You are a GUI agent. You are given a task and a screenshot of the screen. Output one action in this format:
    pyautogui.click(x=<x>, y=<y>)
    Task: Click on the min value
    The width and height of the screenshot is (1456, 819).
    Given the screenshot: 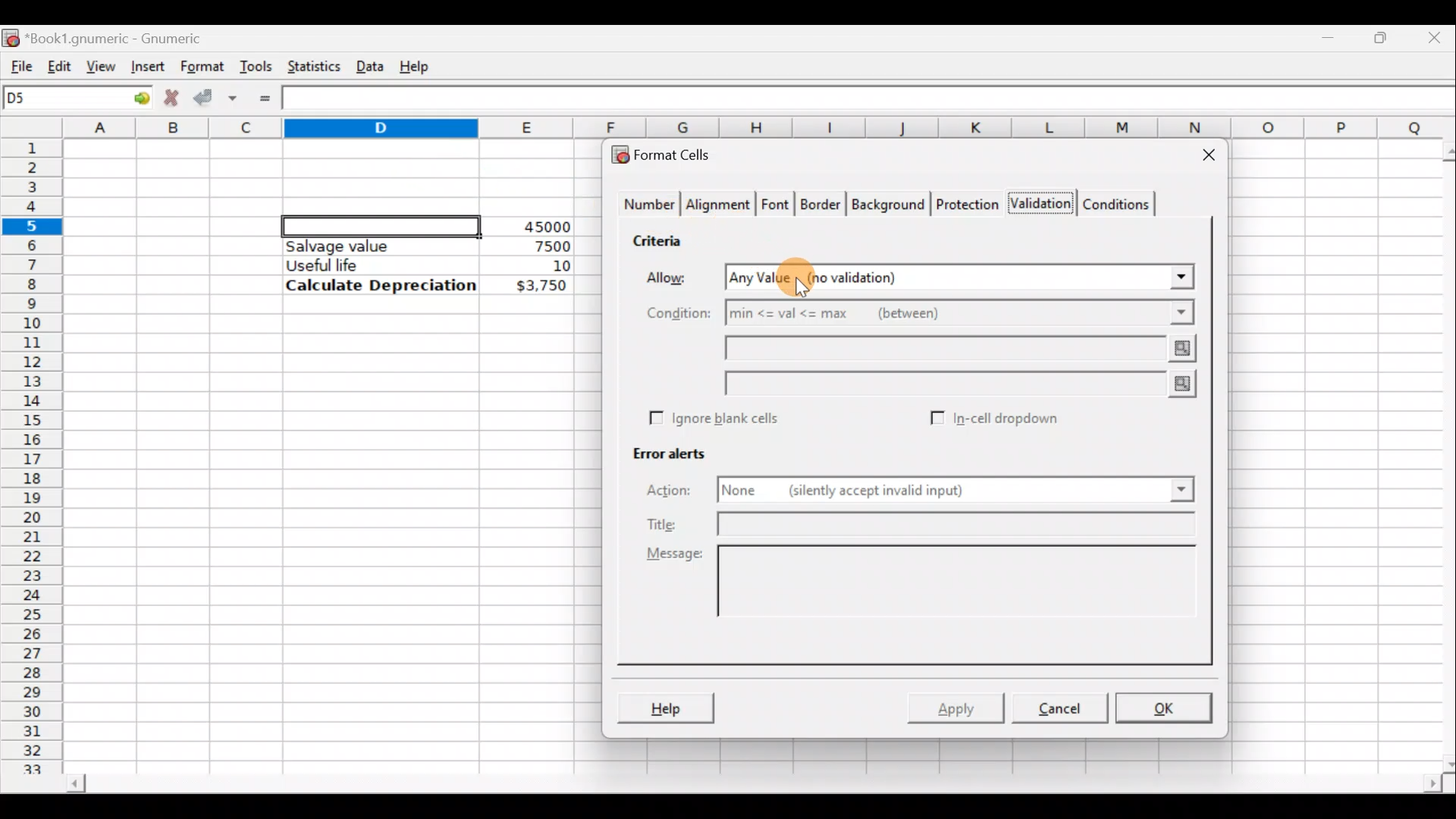 What is the action you would take?
    pyautogui.click(x=962, y=350)
    